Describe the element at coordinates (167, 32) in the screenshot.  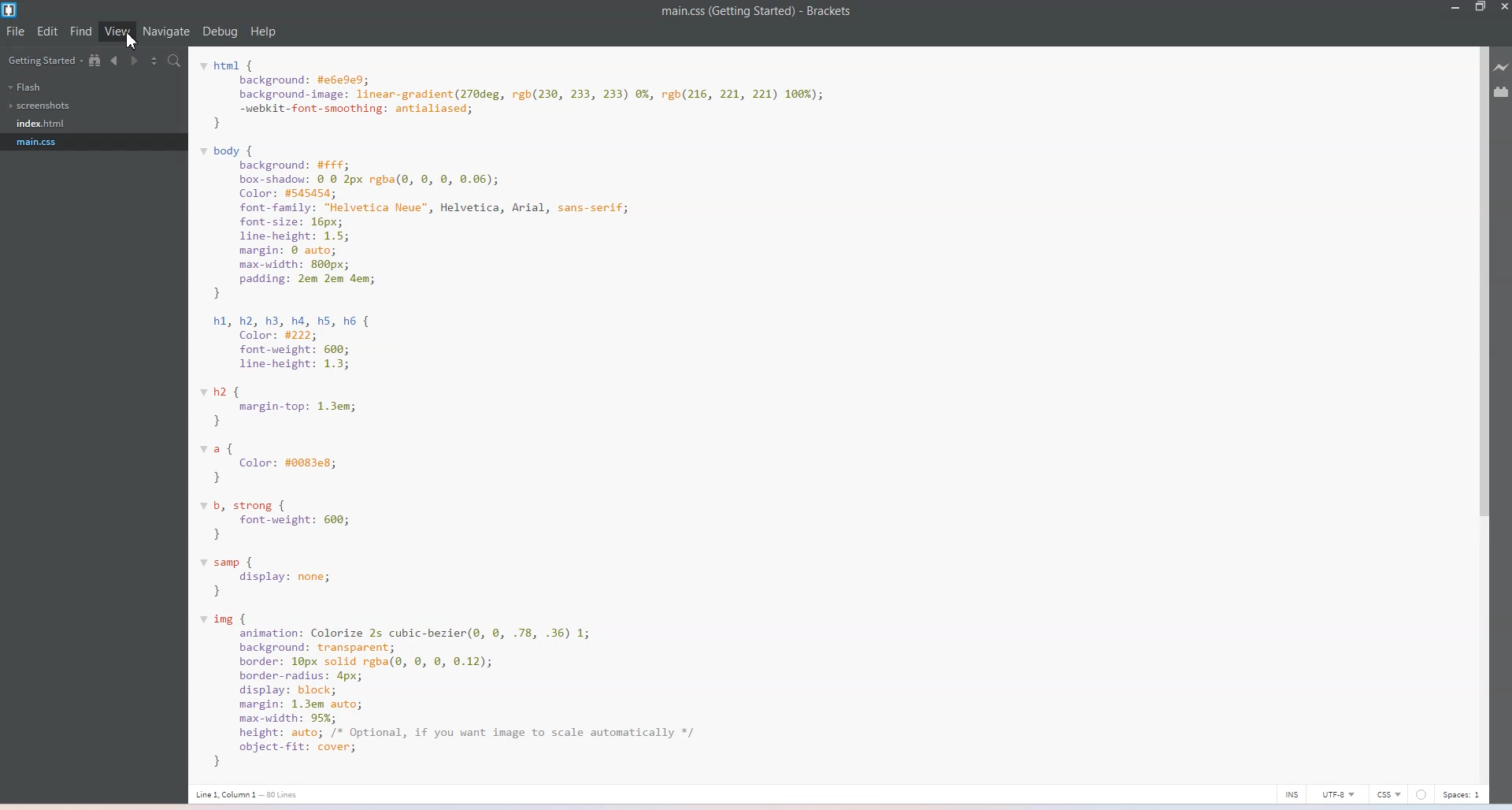
I see `Navigate` at that location.